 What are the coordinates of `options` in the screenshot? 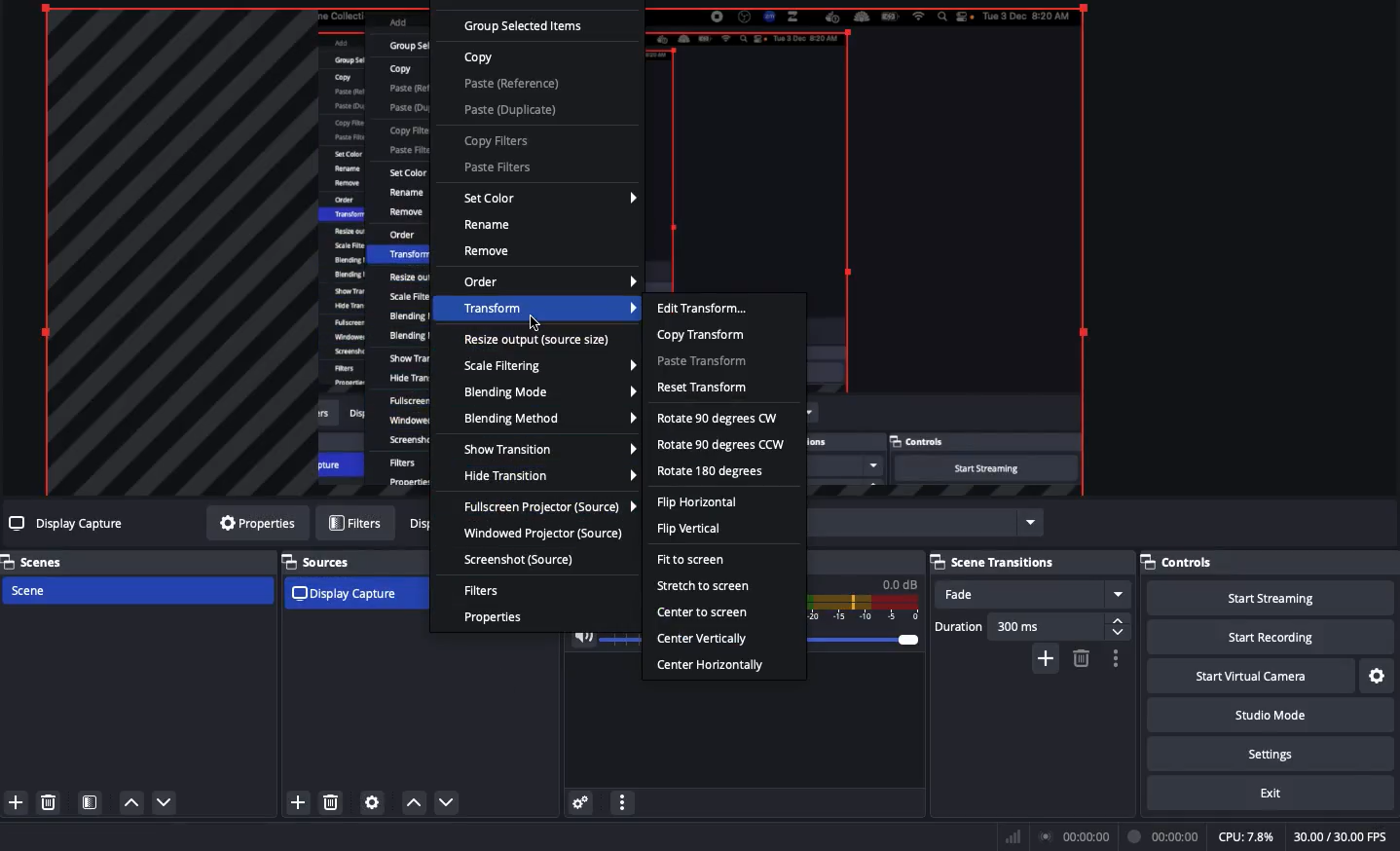 It's located at (624, 802).